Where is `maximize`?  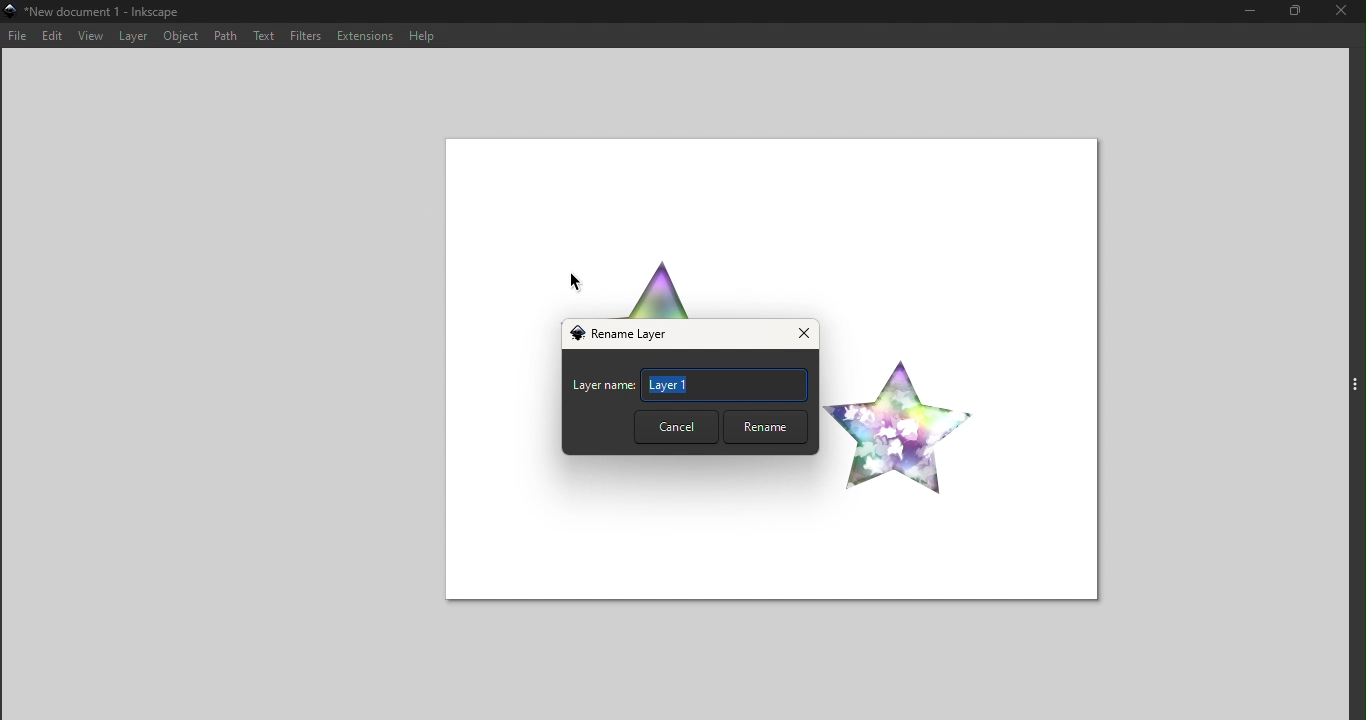 maximize is located at coordinates (1301, 14).